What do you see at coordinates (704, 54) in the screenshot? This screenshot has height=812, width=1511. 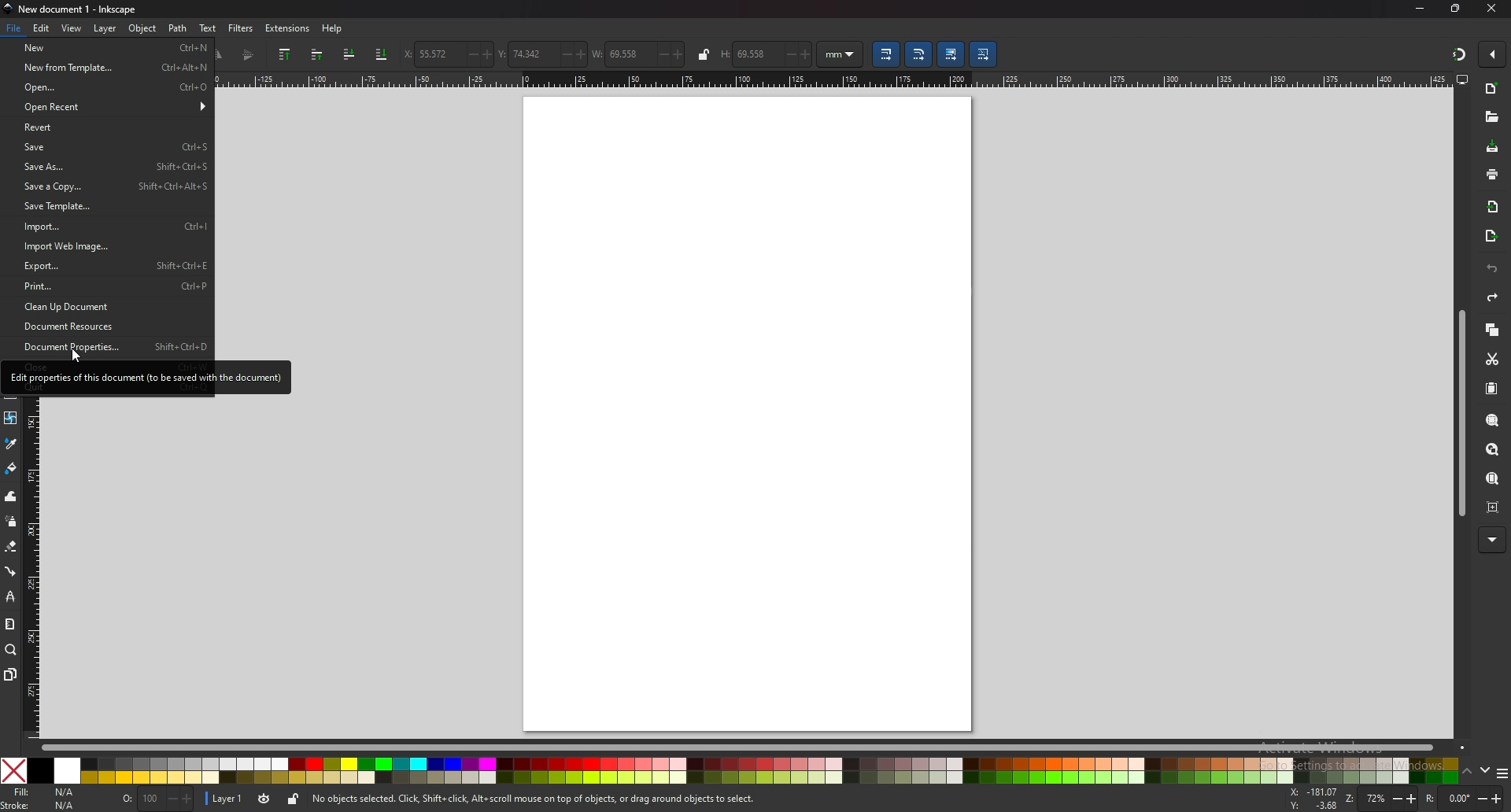 I see `lock` at bounding box center [704, 54].